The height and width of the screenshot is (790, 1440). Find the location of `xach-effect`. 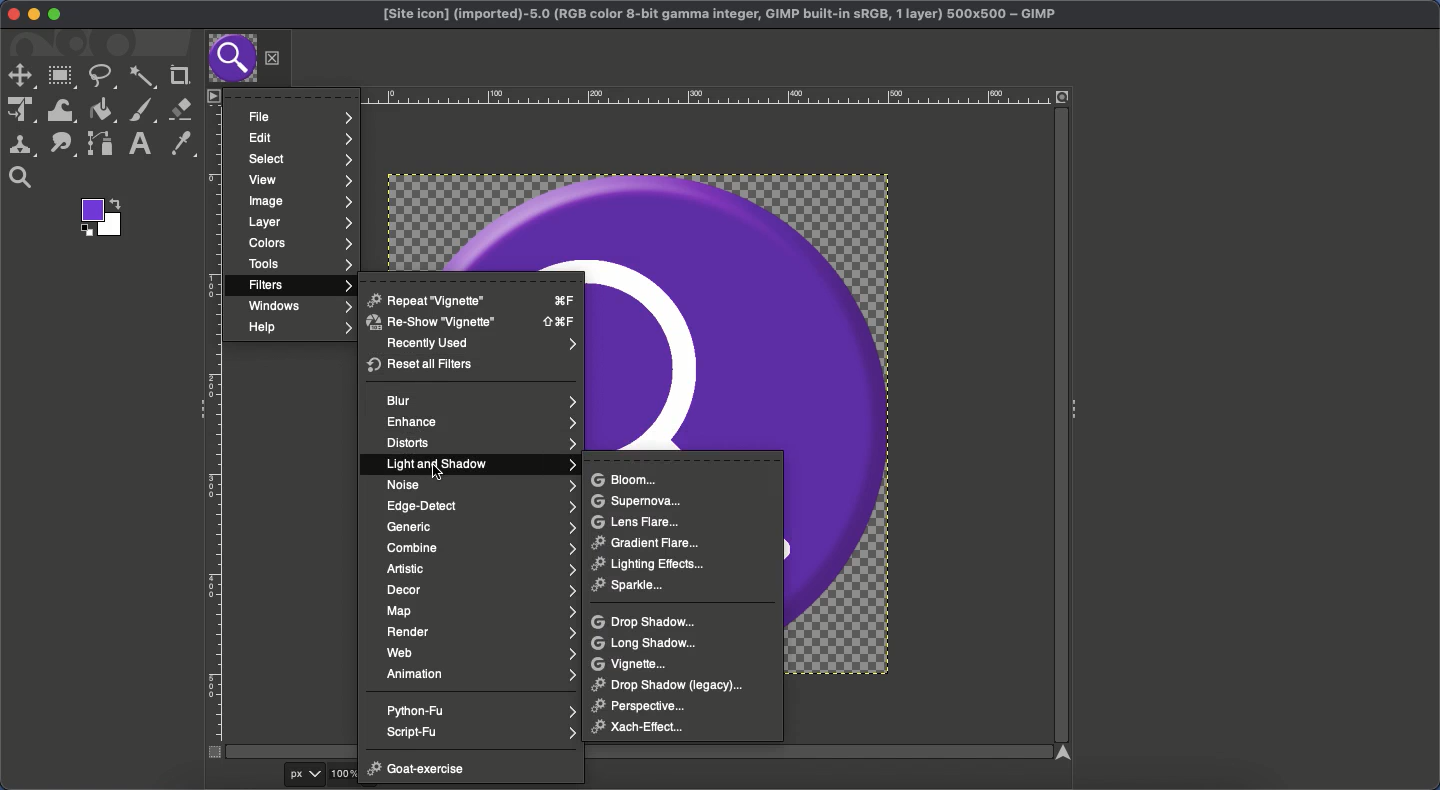

xach-effect is located at coordinates (646, 727).